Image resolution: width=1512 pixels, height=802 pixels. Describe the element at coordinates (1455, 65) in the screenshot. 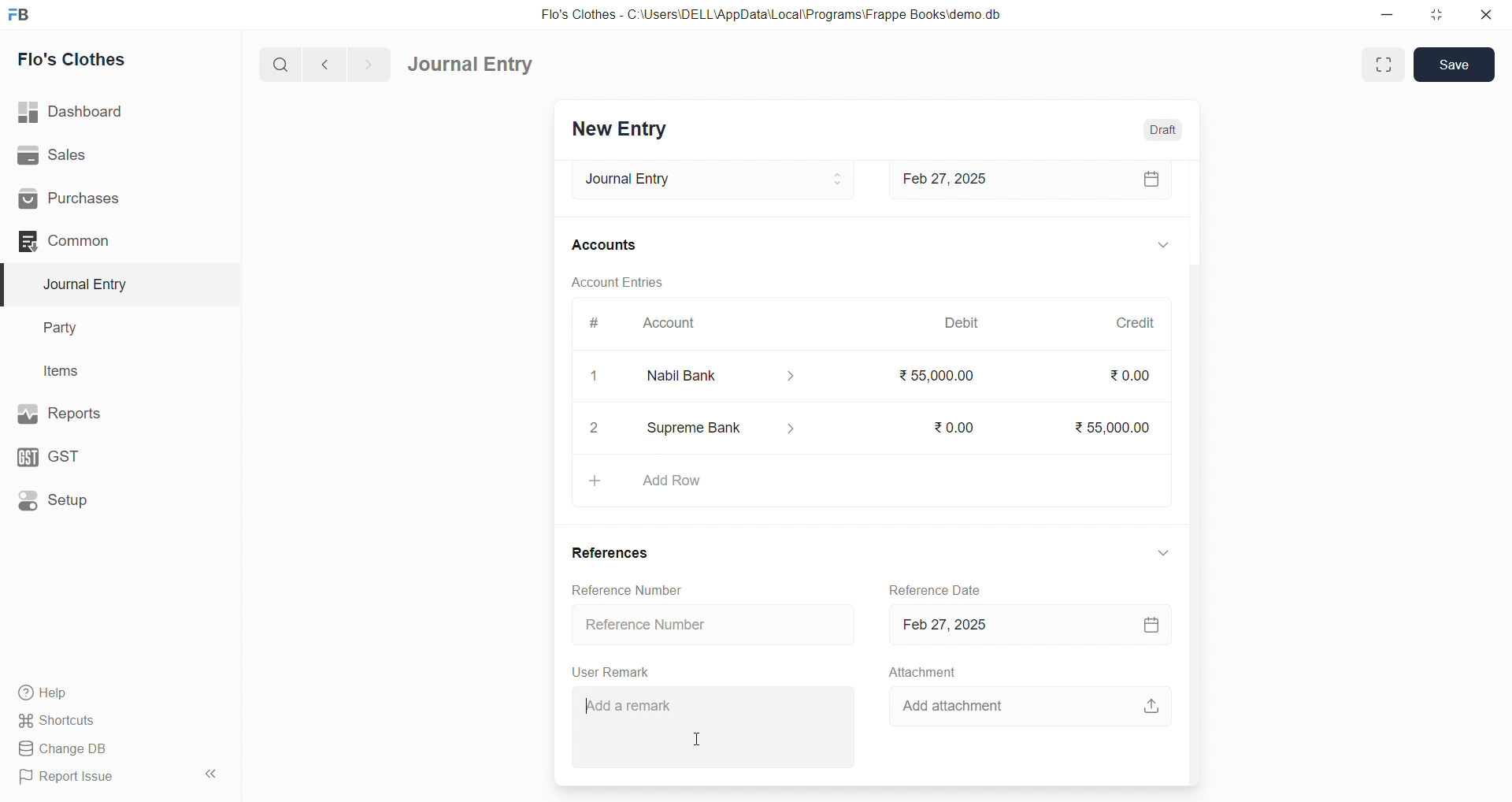

I see `Save` at that location.